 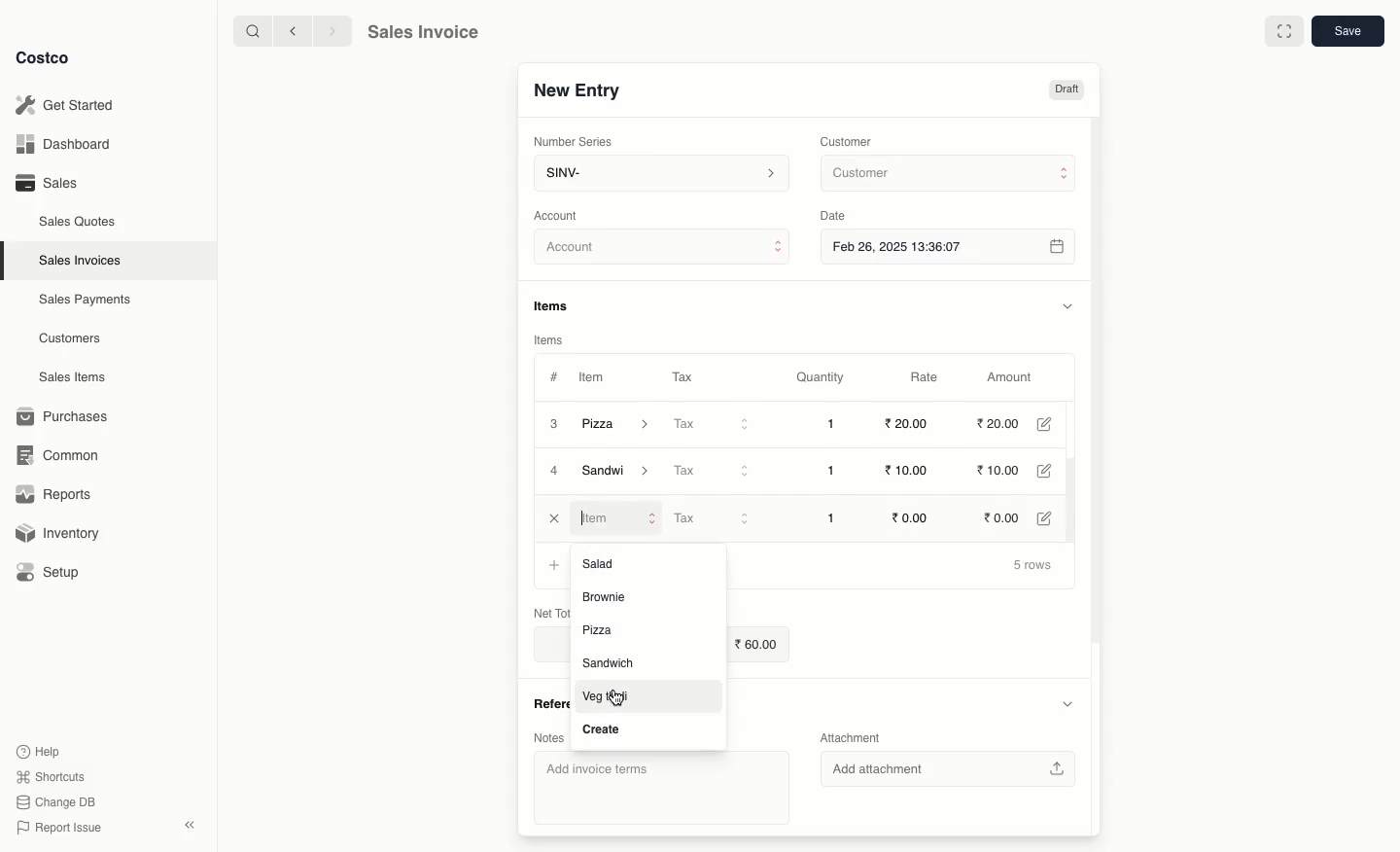 What do you see at coordinates (654, 787) in the screenshot?
I see `‘Add invoice terms` at bounding box center [654, 787].